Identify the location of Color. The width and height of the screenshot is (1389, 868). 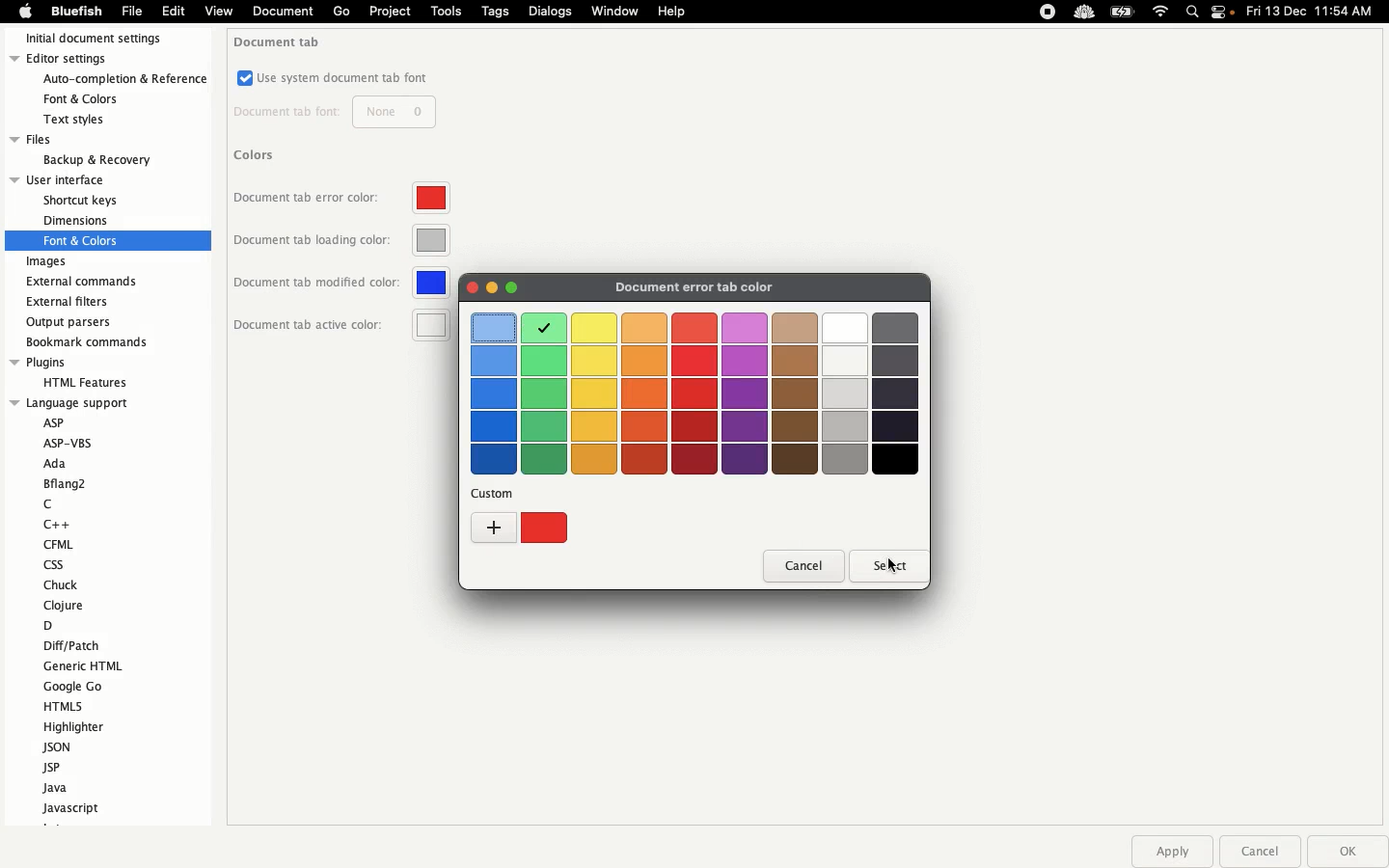
(474, 289).